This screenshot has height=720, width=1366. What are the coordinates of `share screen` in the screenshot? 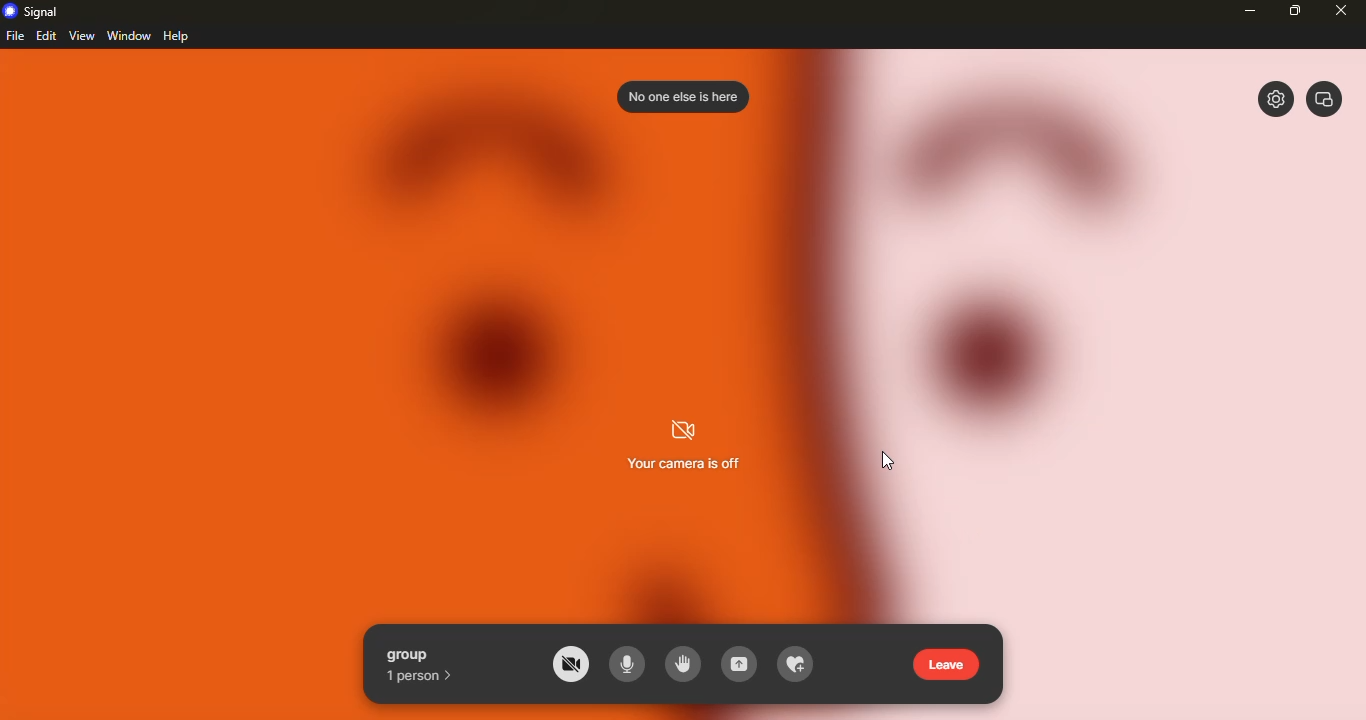 It's located at (741, 665).